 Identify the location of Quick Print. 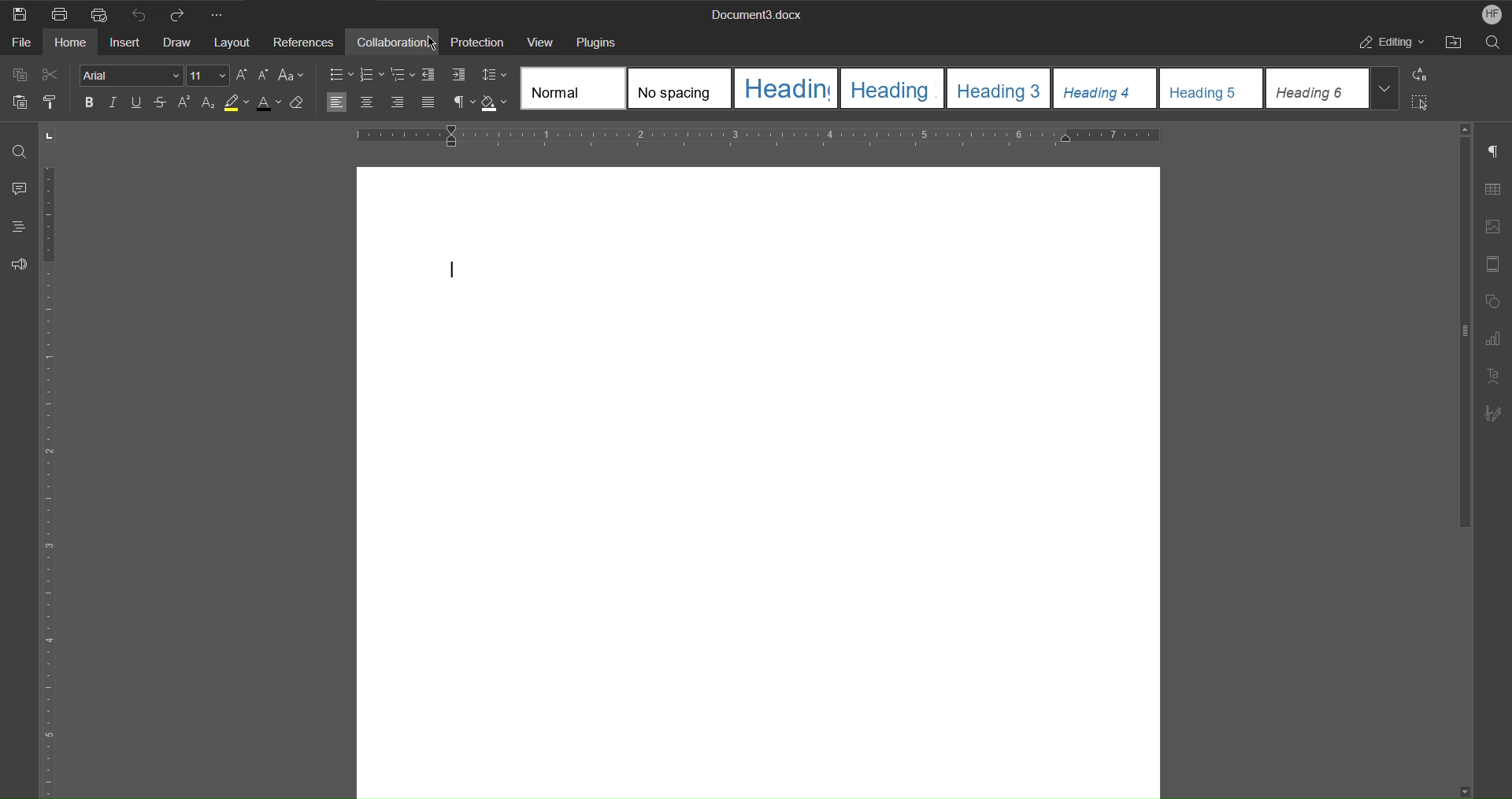
(99, 15).